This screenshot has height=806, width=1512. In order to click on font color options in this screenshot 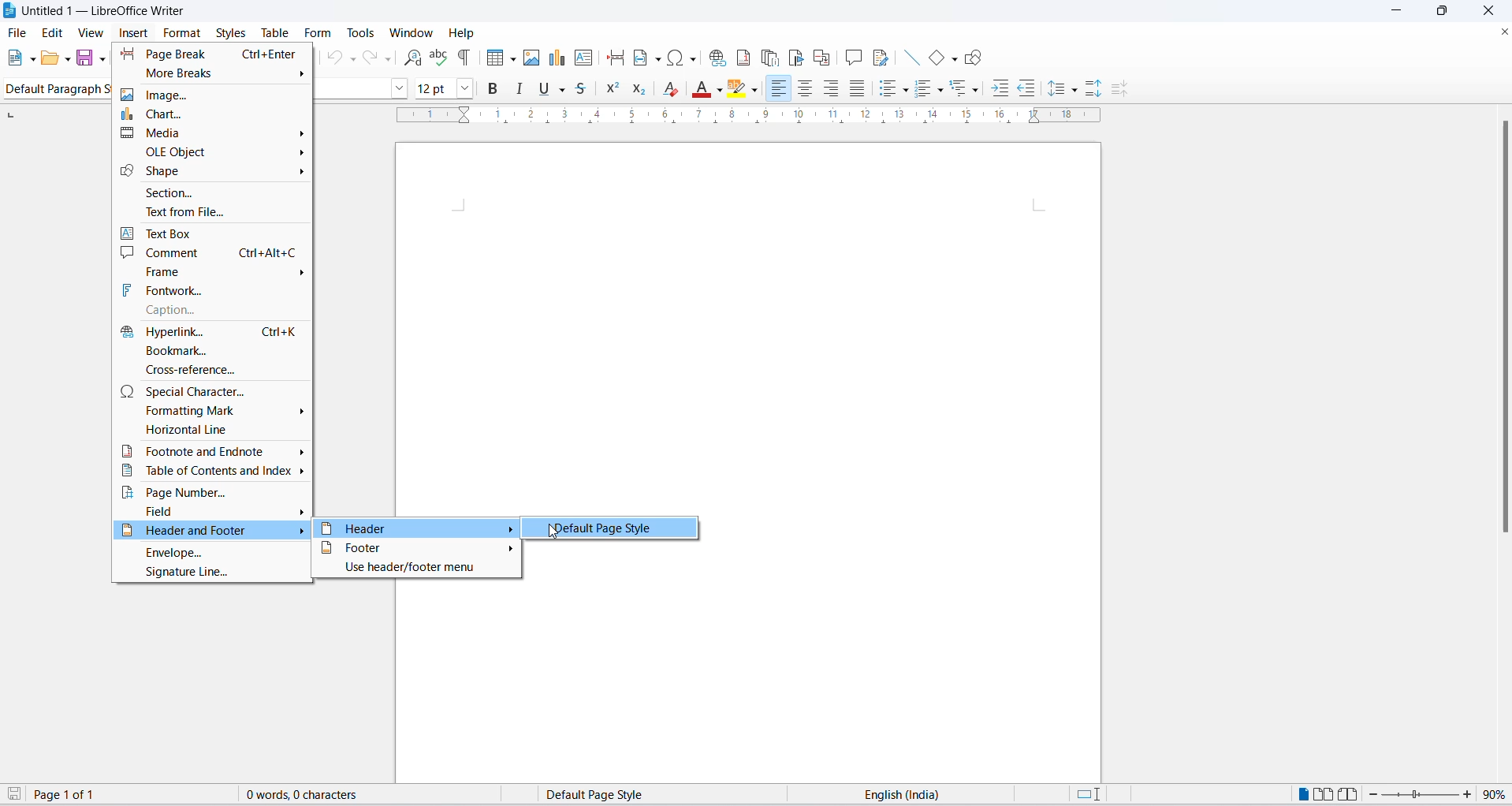, I will do `click(718, 88)`.